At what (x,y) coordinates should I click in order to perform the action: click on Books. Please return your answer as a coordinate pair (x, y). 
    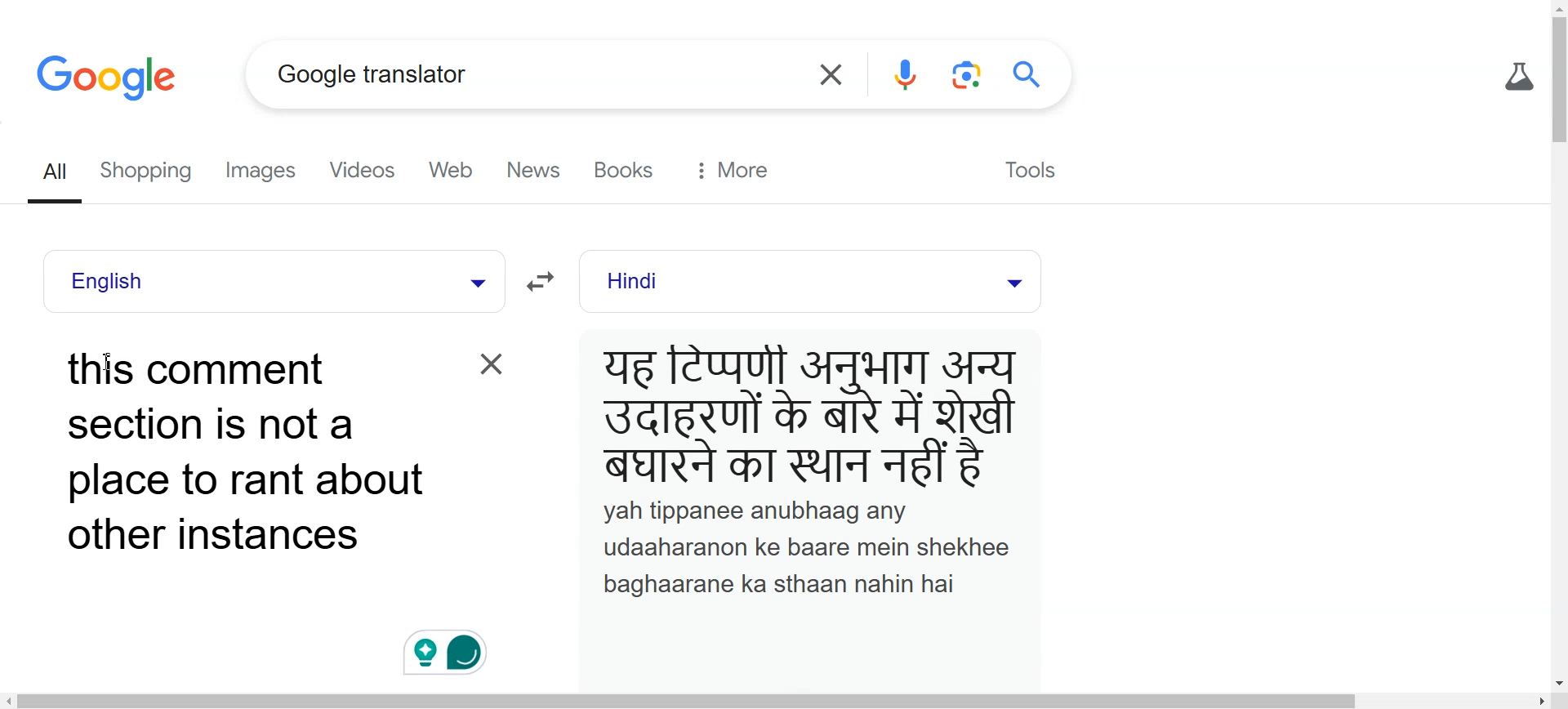
    Looking at the image, I should click on (627, 170).